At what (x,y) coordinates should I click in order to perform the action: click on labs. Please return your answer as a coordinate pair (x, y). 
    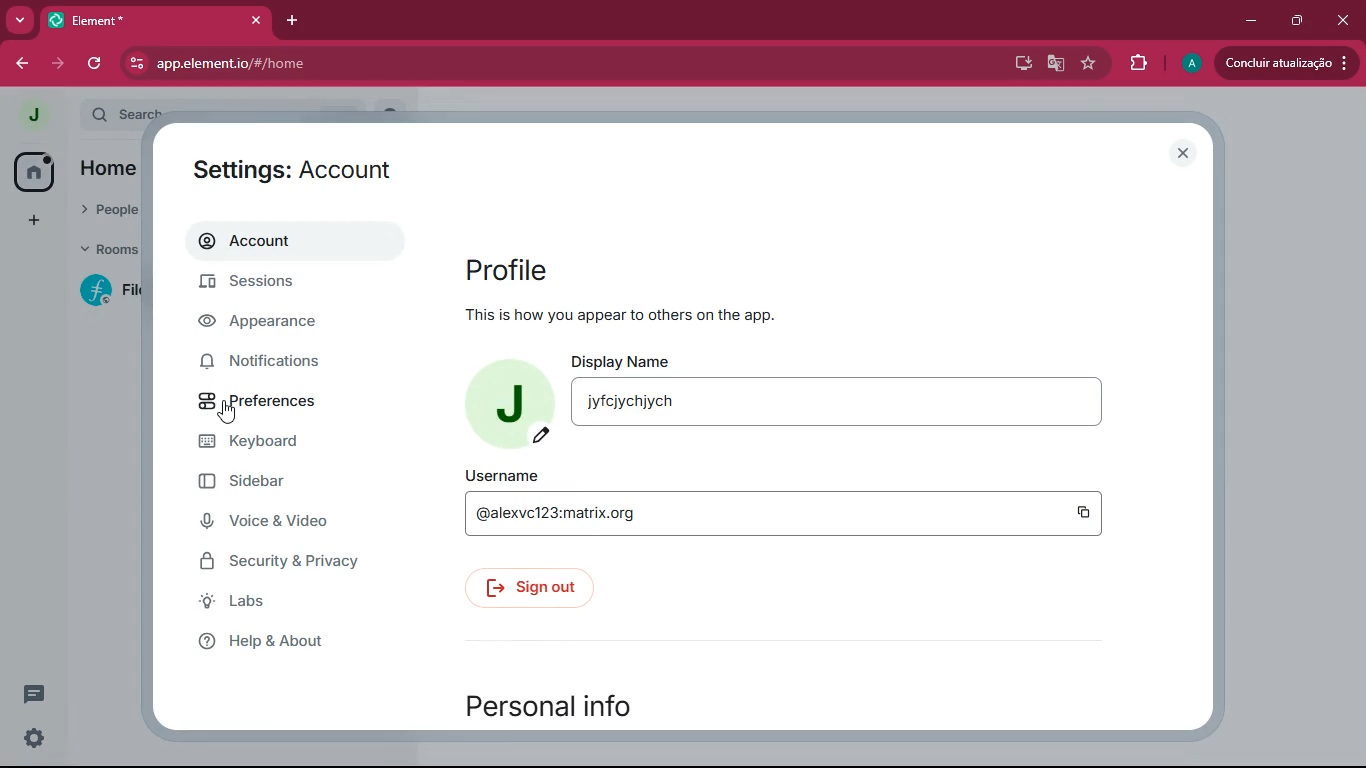
    Looking at the image, I should click on (289, 605).